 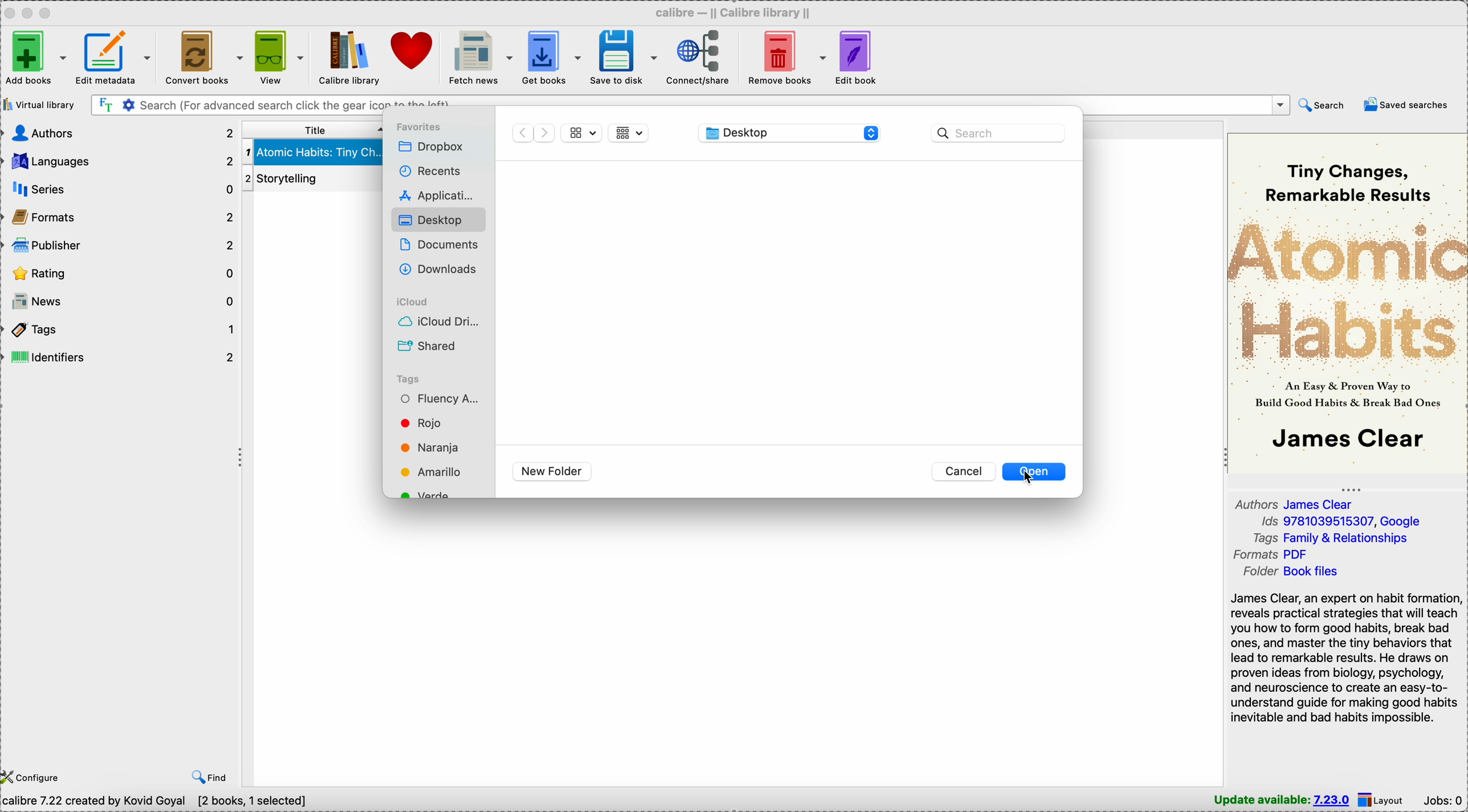 What do you see at coordinates (122, 219) in the screenshot?
I see `formats` at bounding box center [122, 219].